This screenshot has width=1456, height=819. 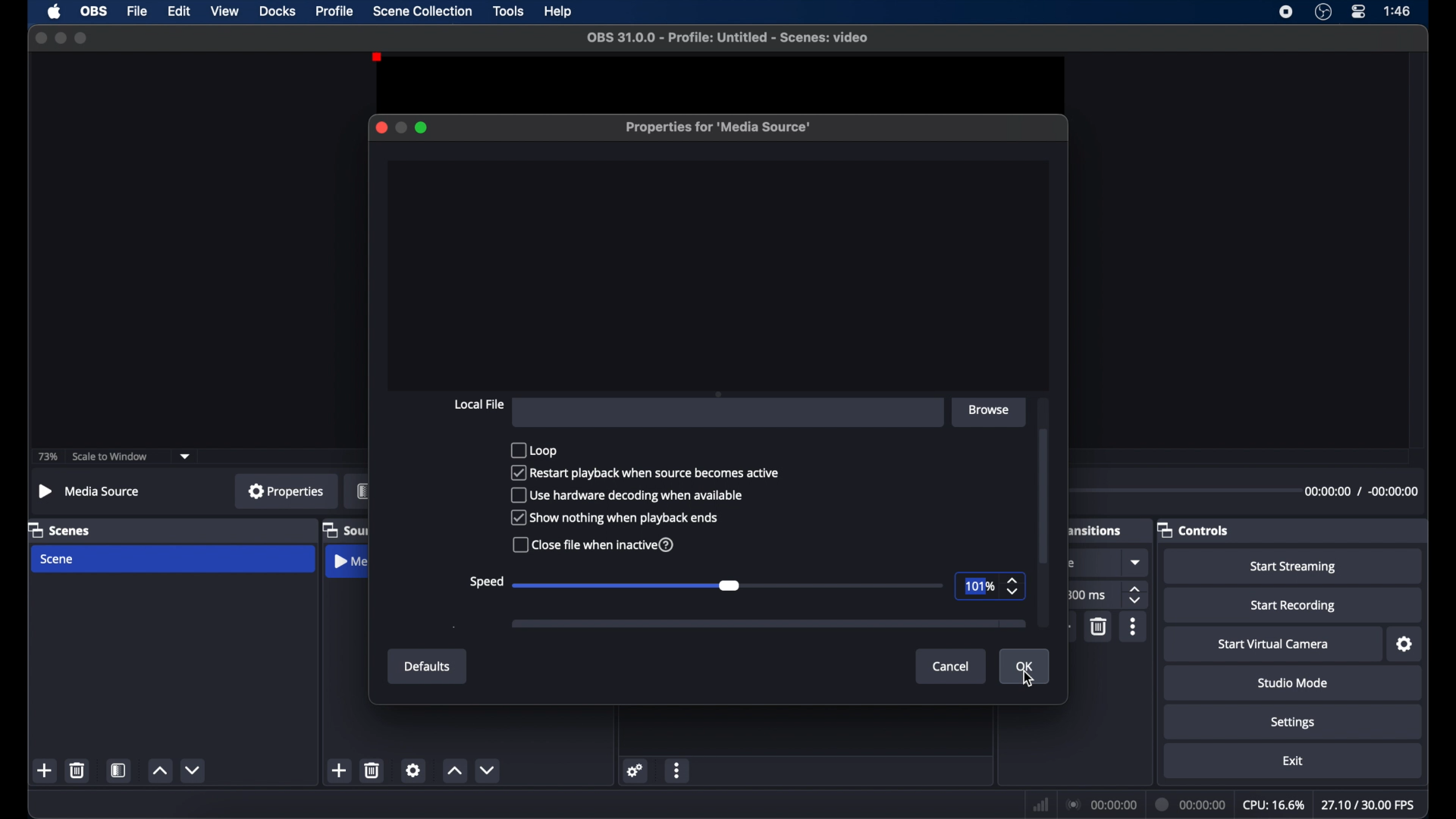 What do you see at coordinates (1025, 667) in the screenshot?
I see `ok` at bounding box center [1025, 667].